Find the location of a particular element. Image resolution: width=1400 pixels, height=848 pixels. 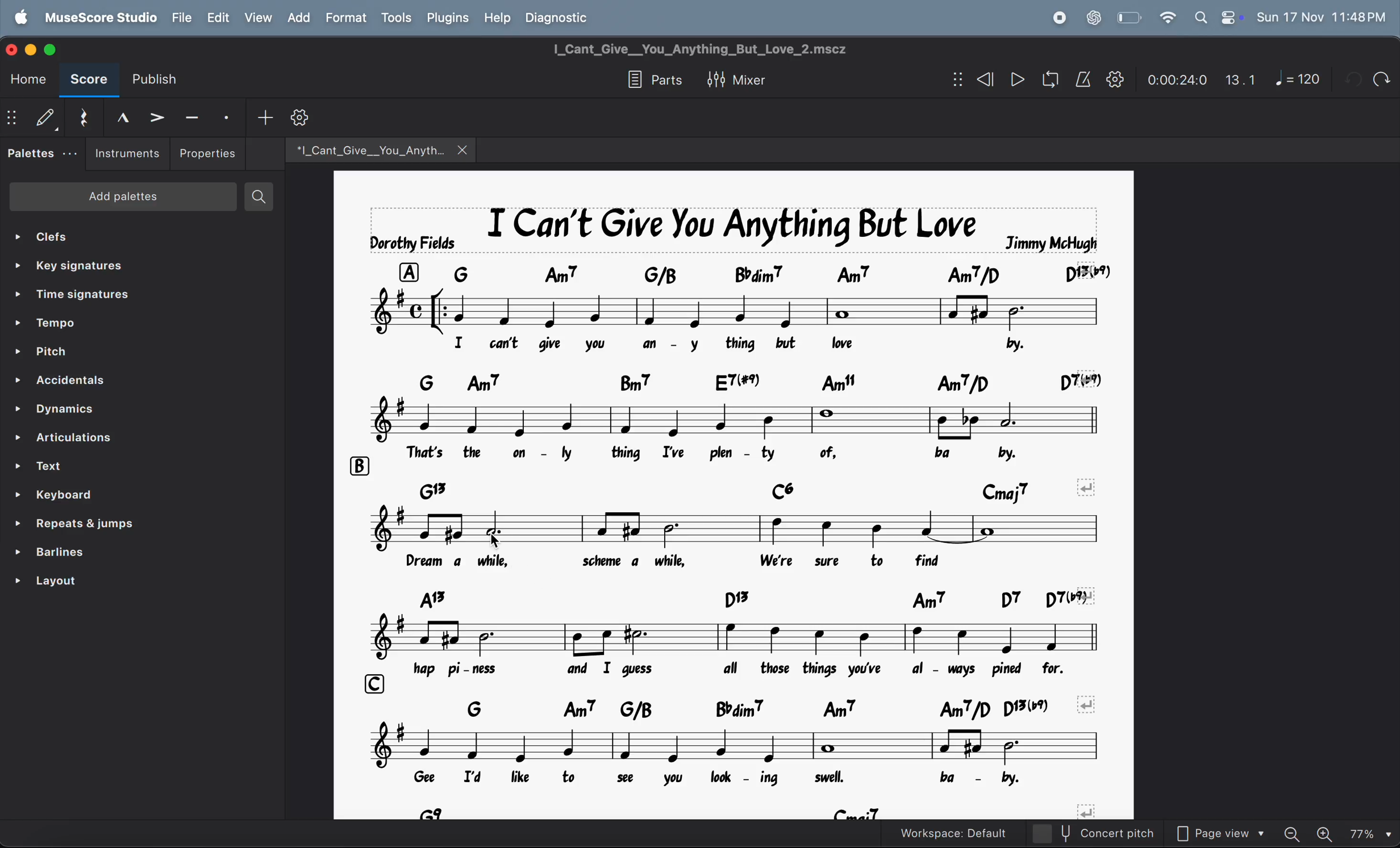

notes is located at coordinates (730, 528).